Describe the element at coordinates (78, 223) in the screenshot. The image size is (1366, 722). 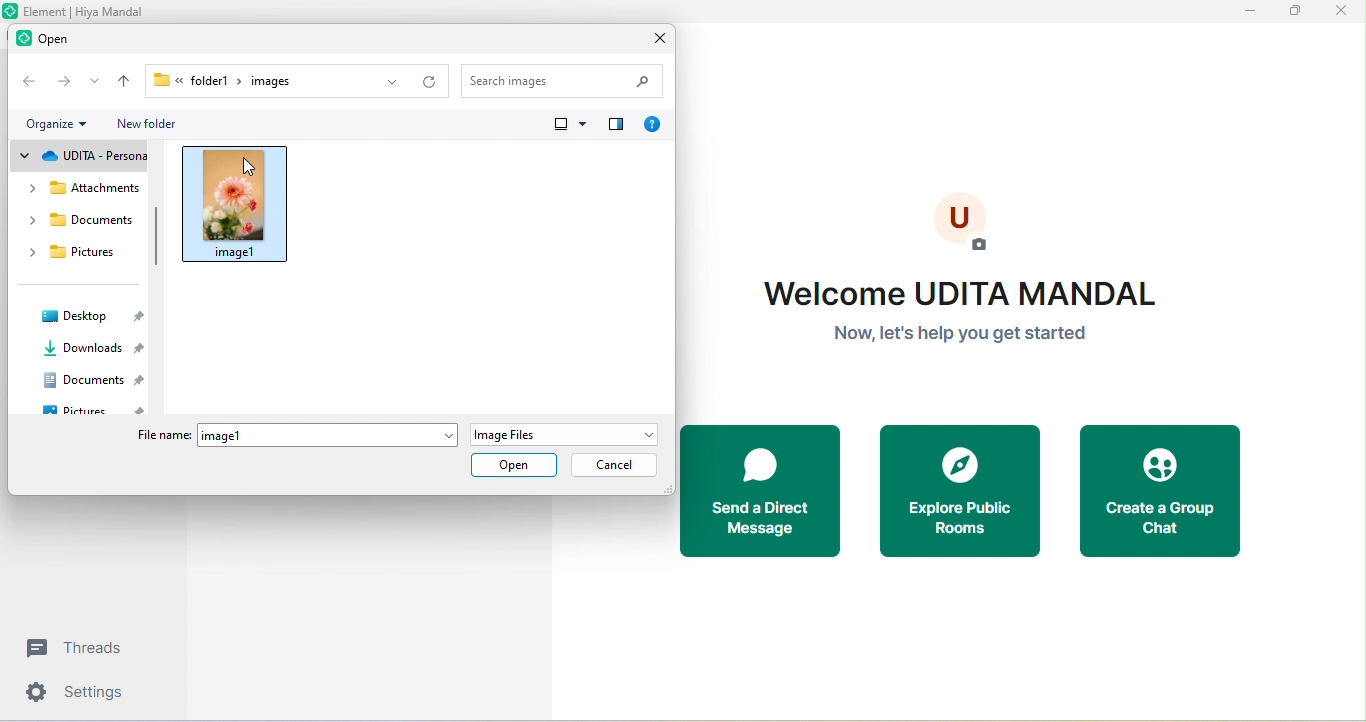
I see `documents` at that location.